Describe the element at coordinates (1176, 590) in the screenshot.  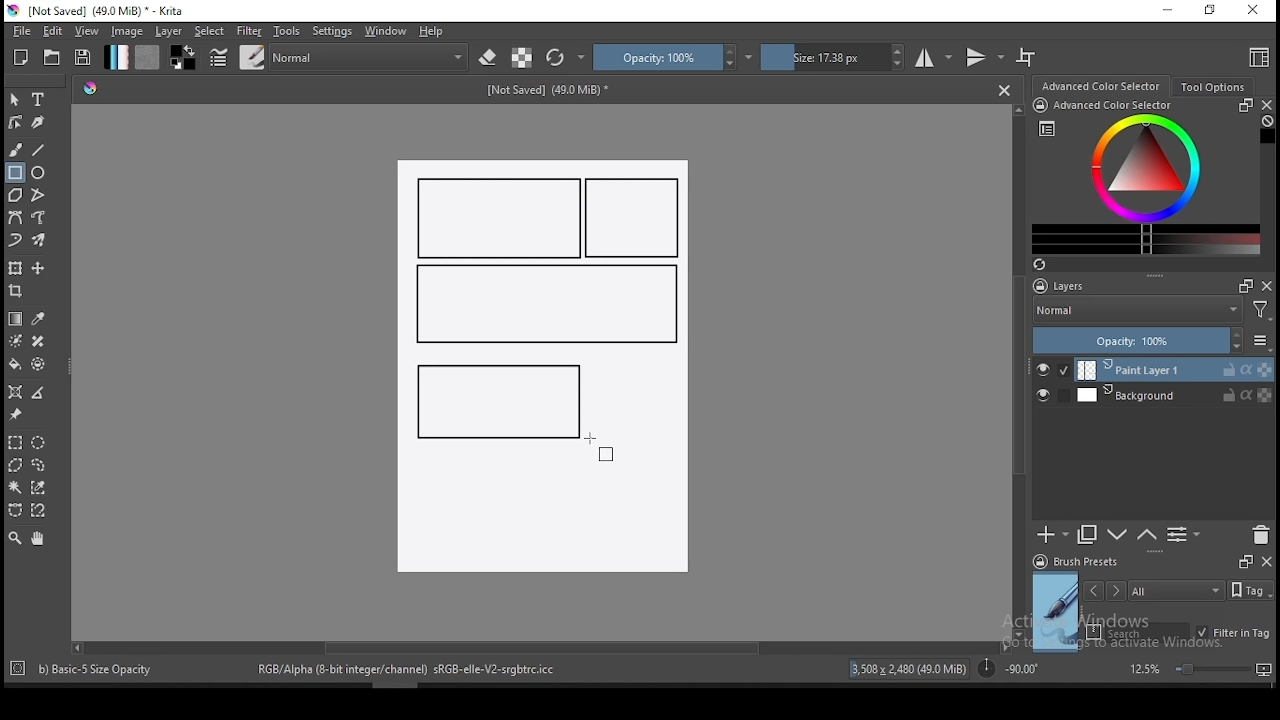
I see `tags` at that location.